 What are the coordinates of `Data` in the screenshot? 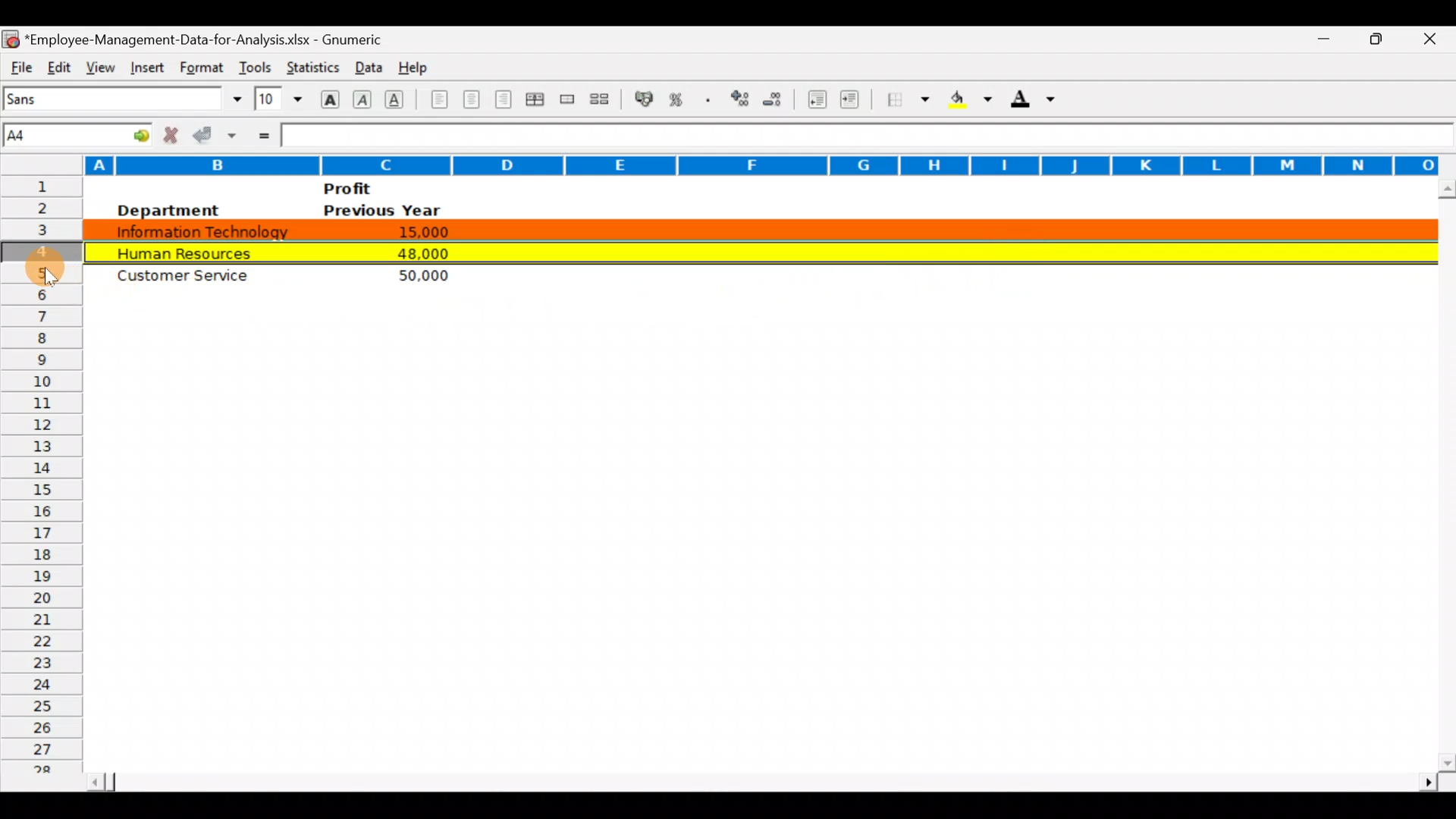 It's located at (365, 64).